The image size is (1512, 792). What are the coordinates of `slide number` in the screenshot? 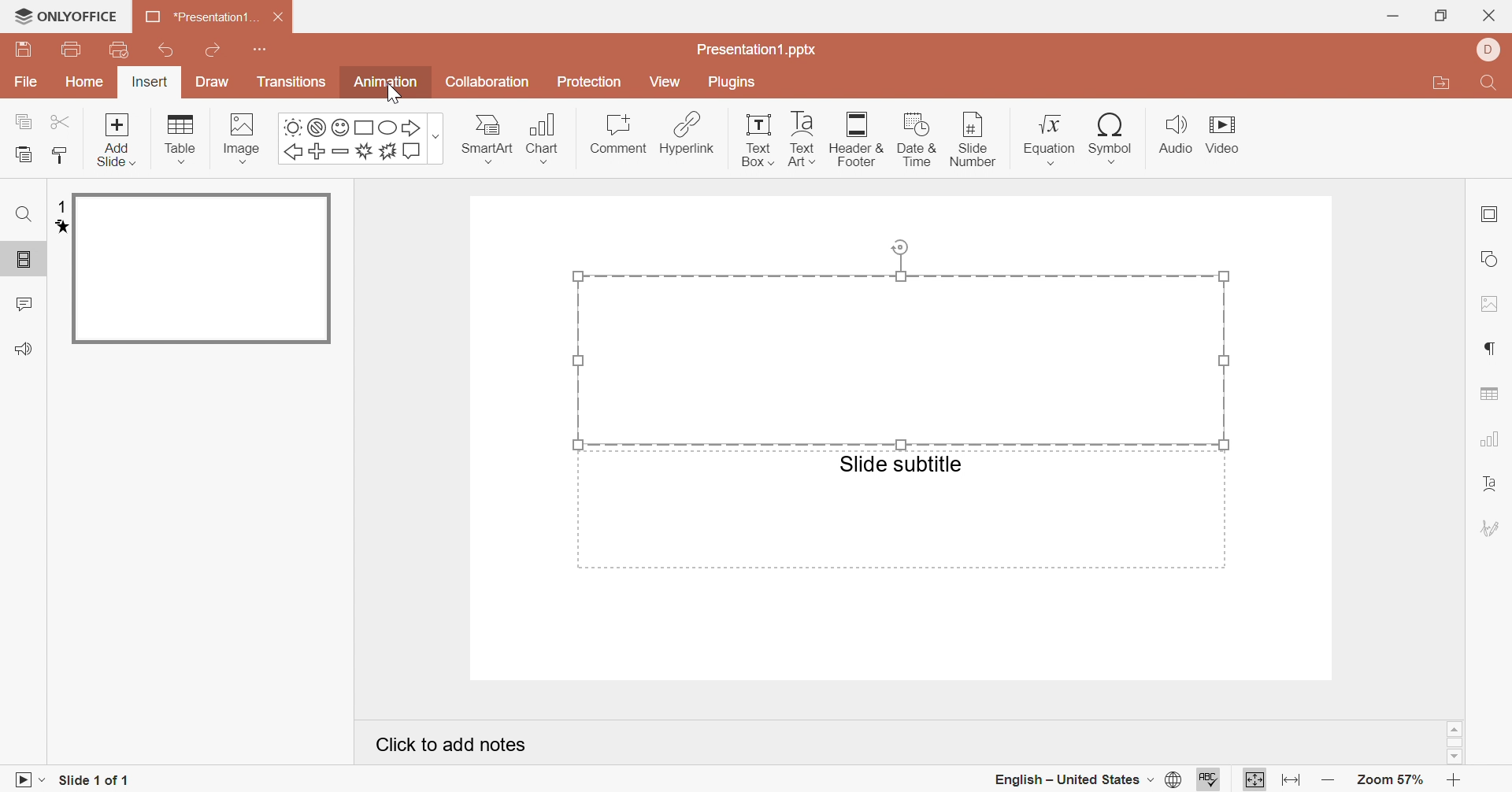 It's located at (976, 139).